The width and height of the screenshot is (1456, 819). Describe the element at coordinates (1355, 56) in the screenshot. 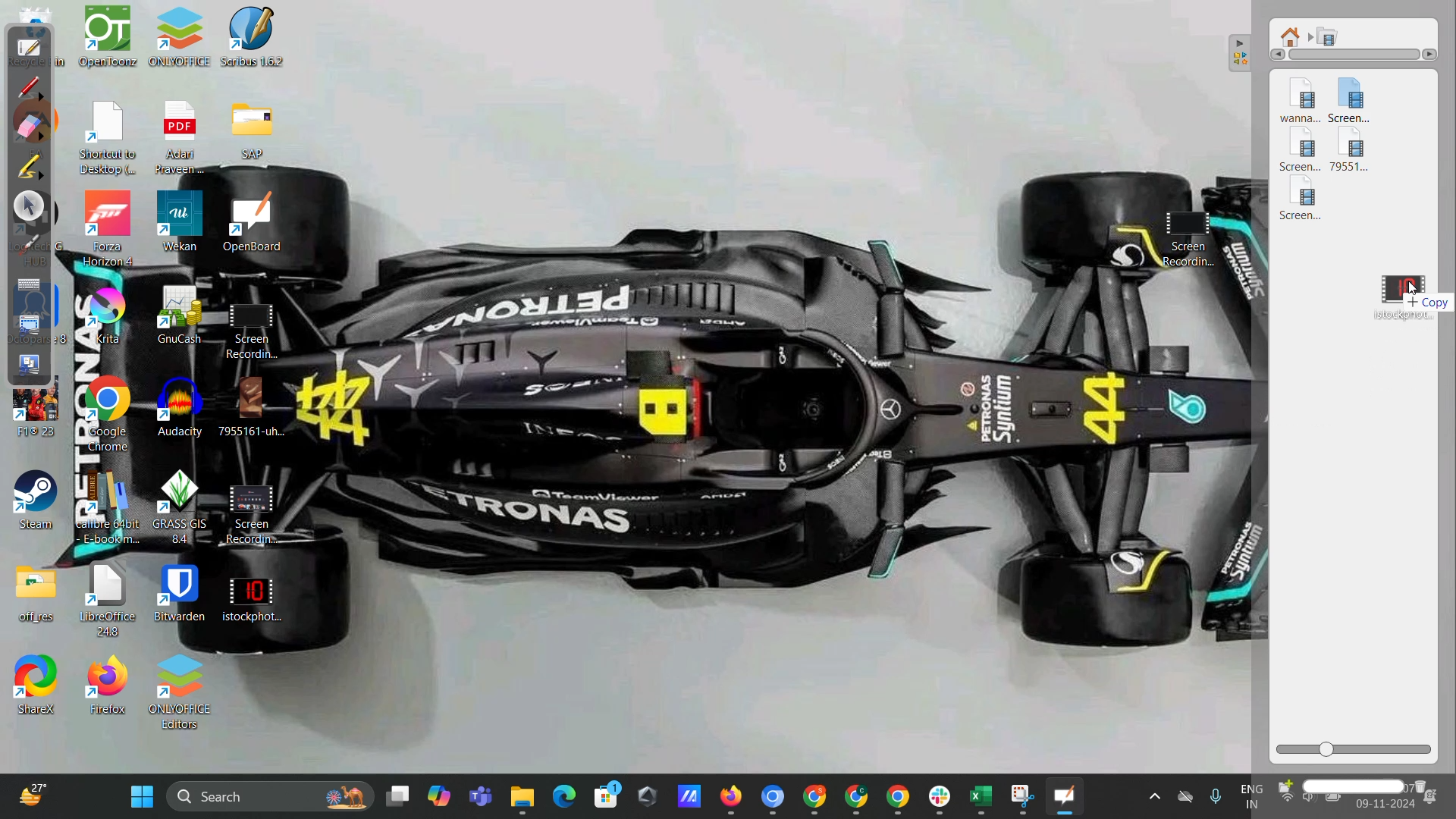

I see `horizontal scroll bar` at that location.